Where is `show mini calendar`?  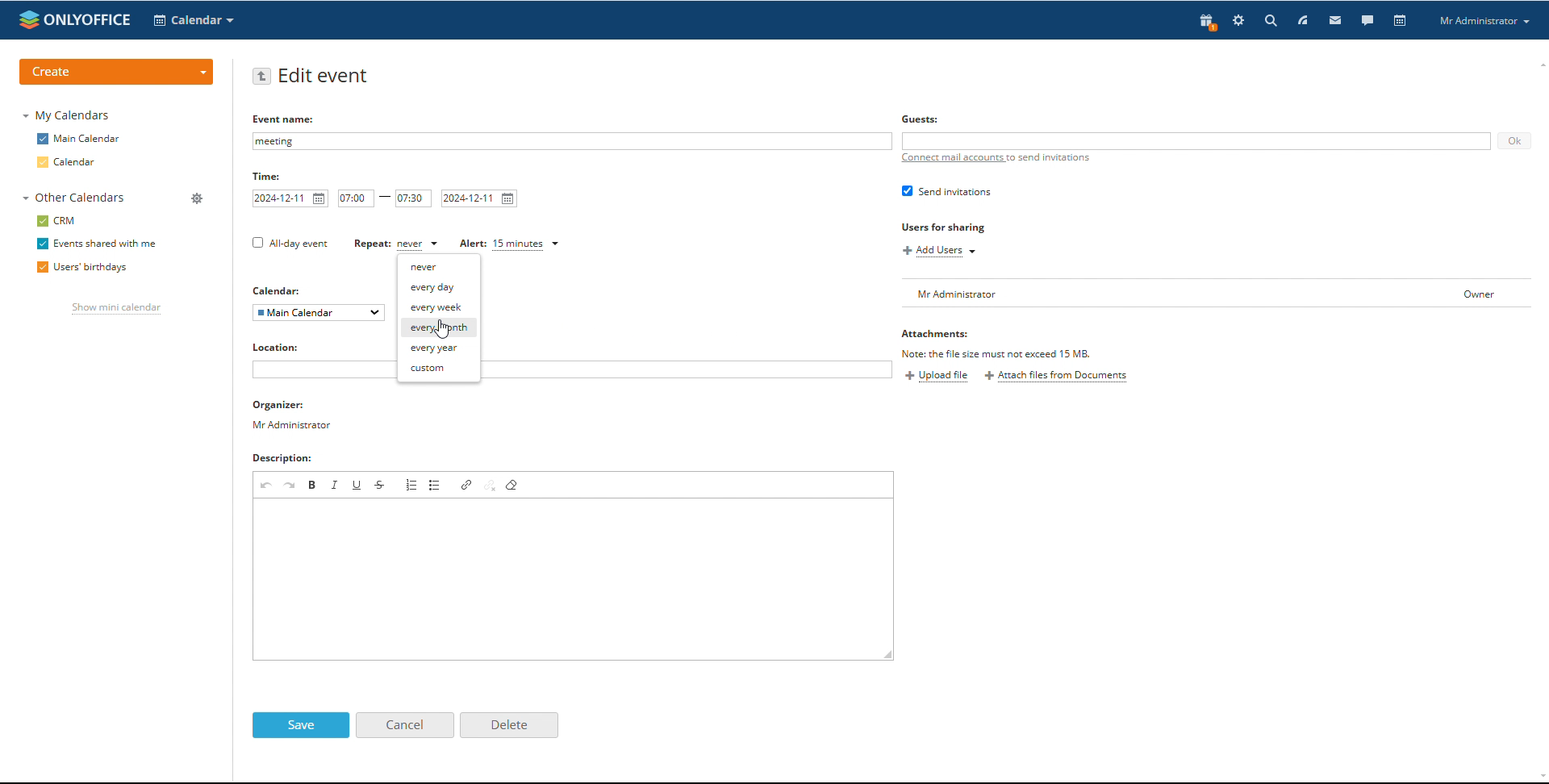
show mini calendar is located at coordinates (116, 310).